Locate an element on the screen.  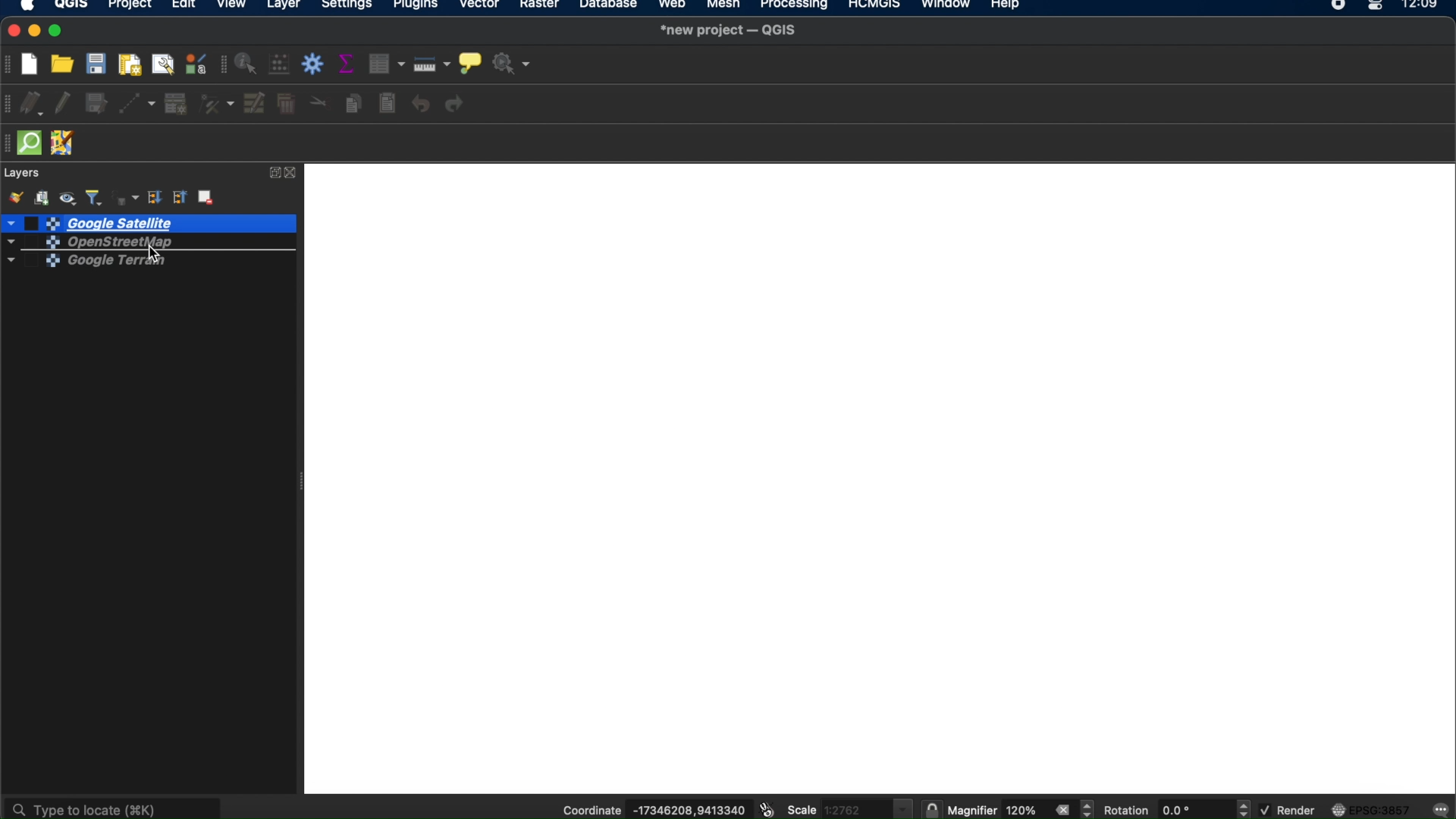
EPSG:3857 is located at coordinates (1374, 809).